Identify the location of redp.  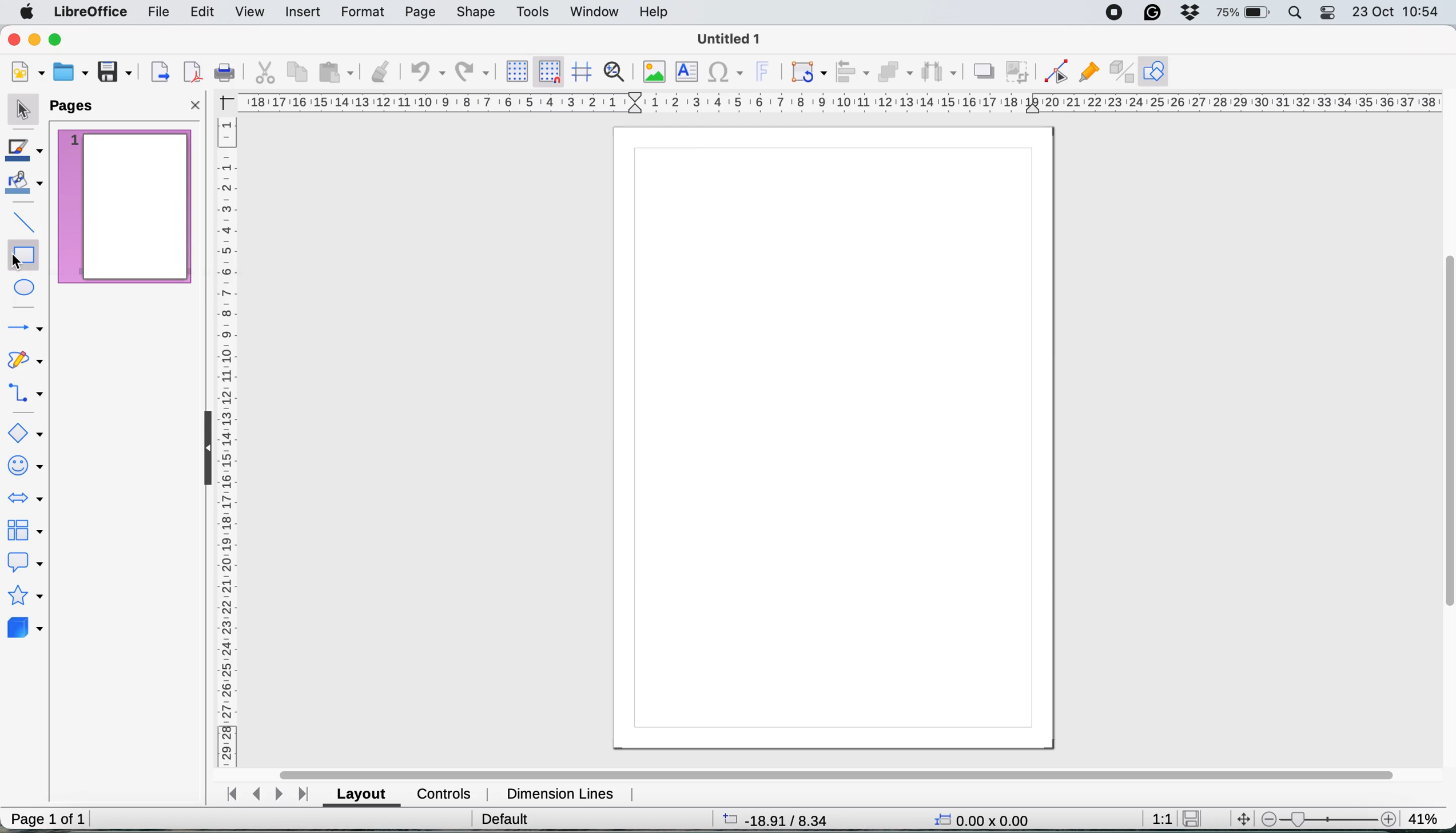
(469, 73).